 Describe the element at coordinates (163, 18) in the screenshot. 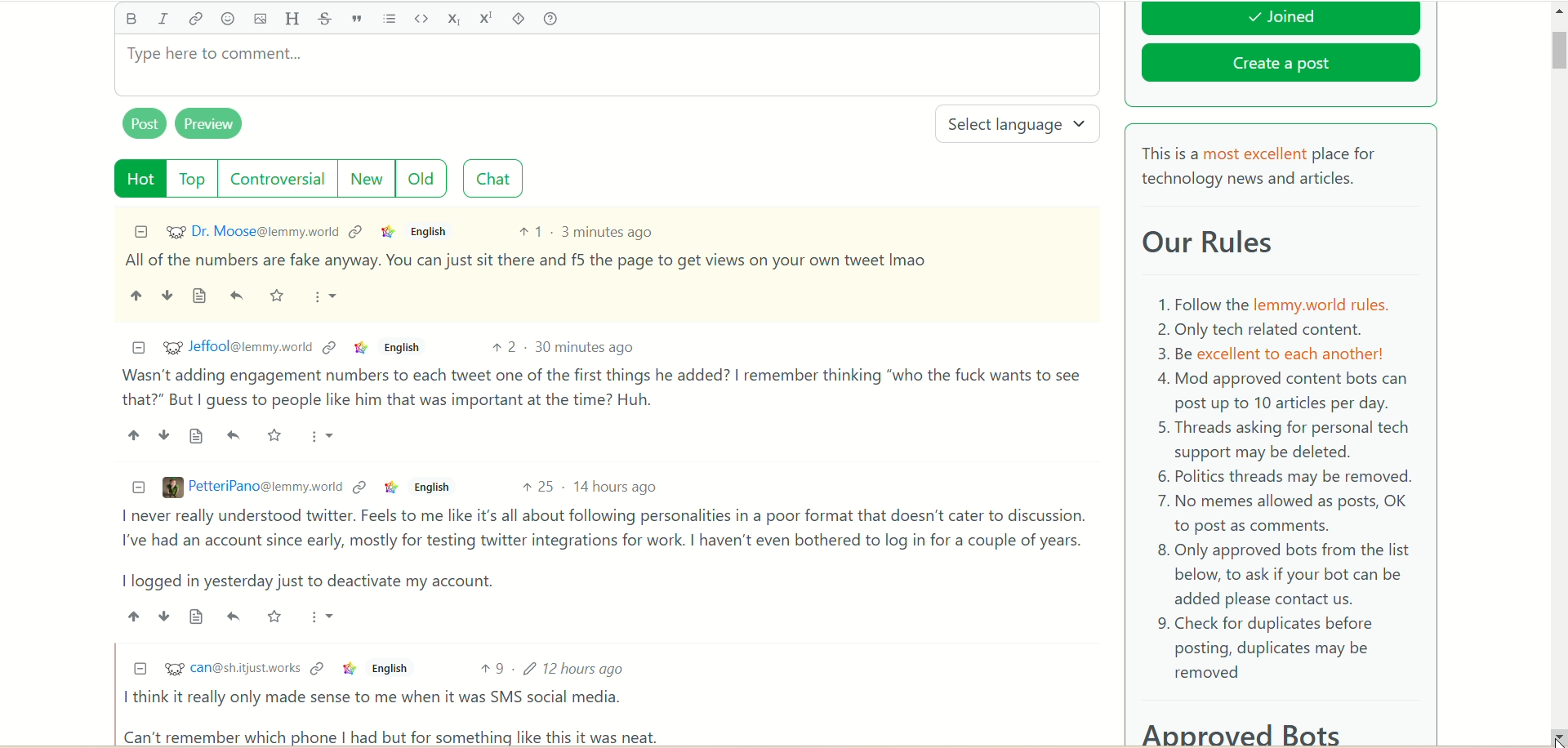

I see `italics` at that location.